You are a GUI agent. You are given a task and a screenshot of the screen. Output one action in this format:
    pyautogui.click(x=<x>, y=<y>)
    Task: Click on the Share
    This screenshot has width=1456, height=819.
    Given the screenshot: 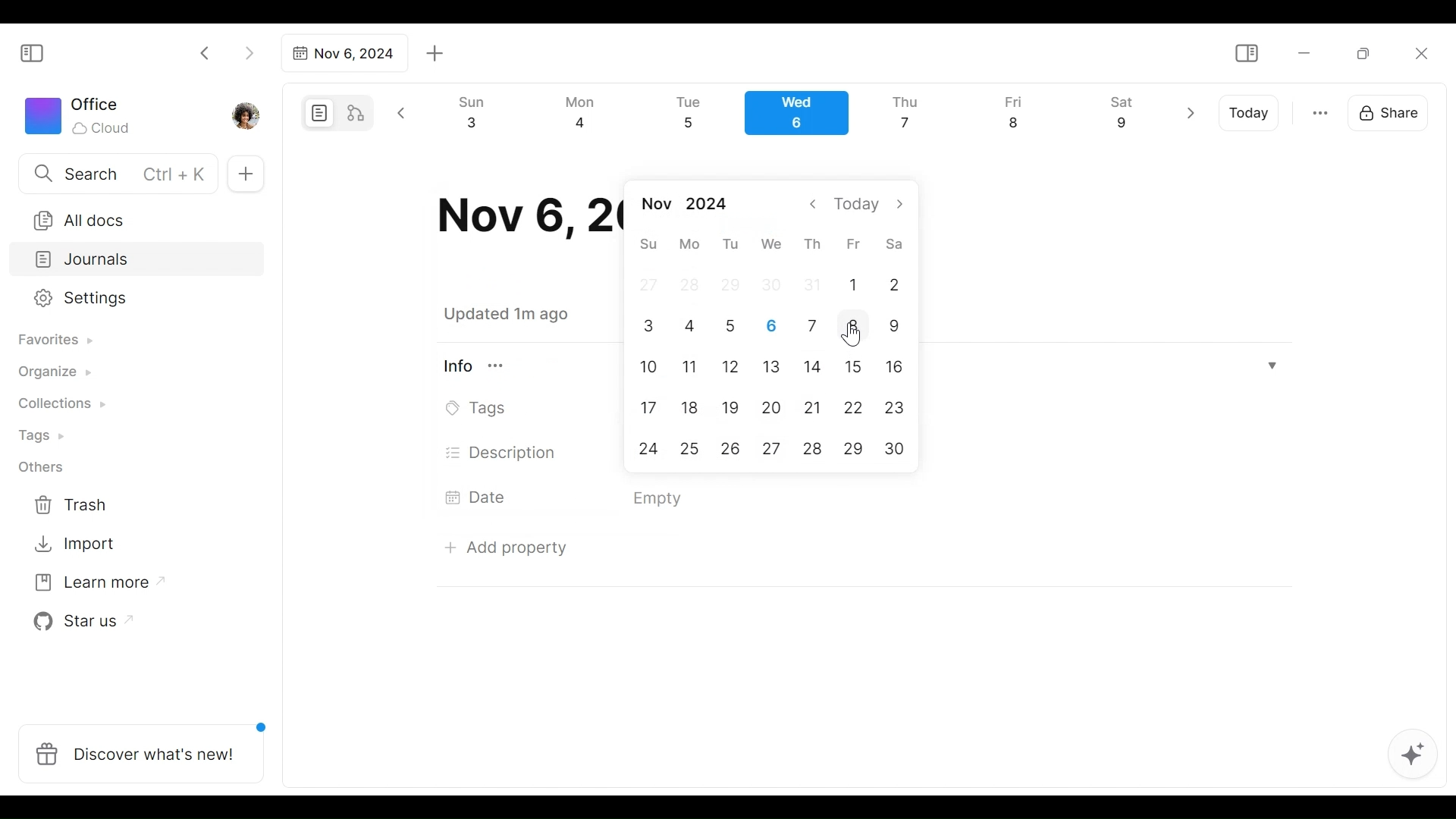 What is the action you would take?
    pyautogui.click(x=1393, y=111)
    